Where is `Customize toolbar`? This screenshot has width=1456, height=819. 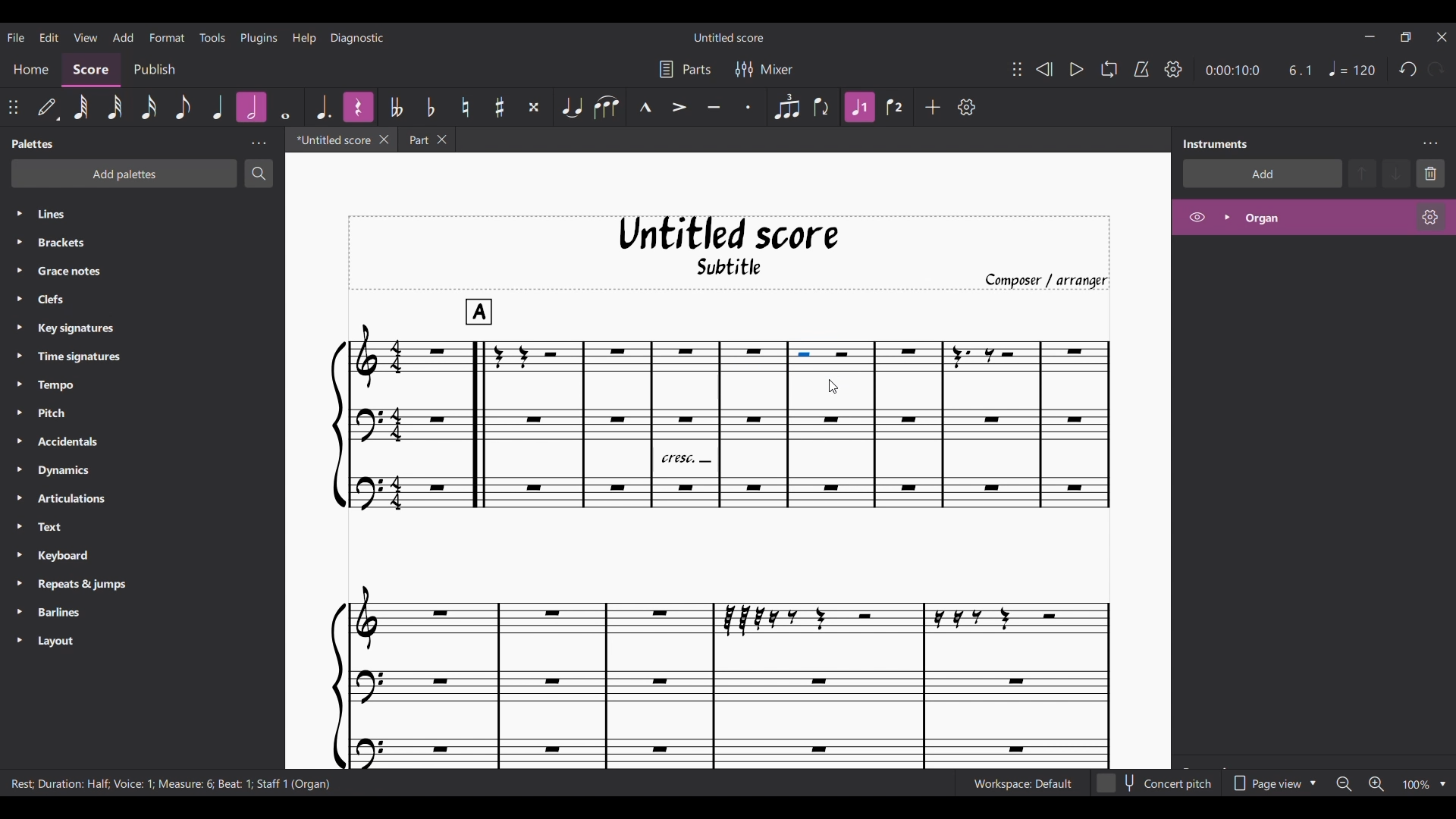 Customize toolbar is located at coordinates (966, 107).